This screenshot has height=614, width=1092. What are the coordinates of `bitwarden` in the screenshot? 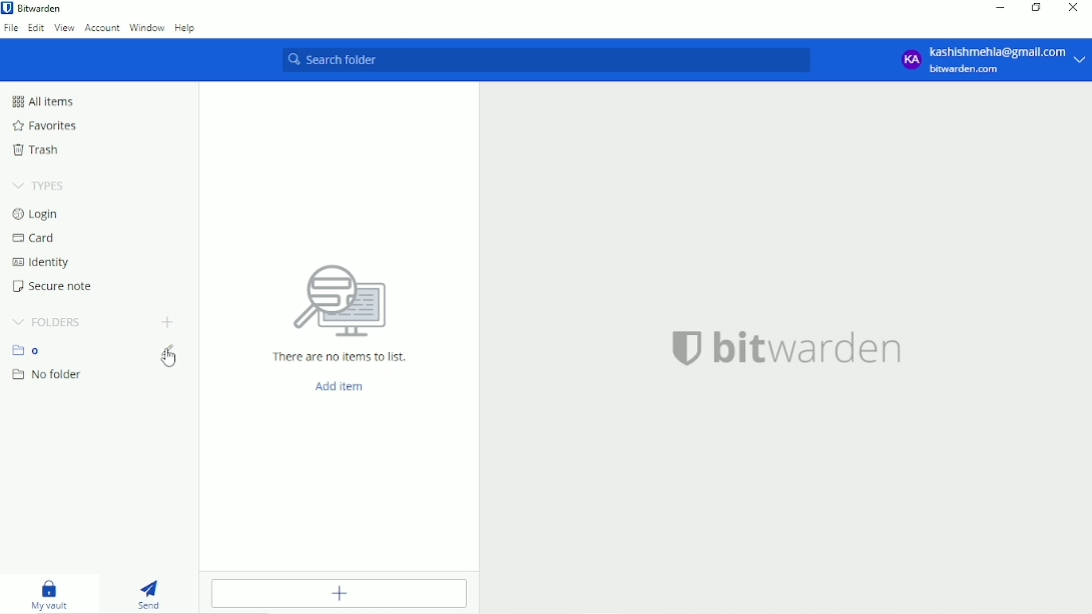 It's located at (812, 348).